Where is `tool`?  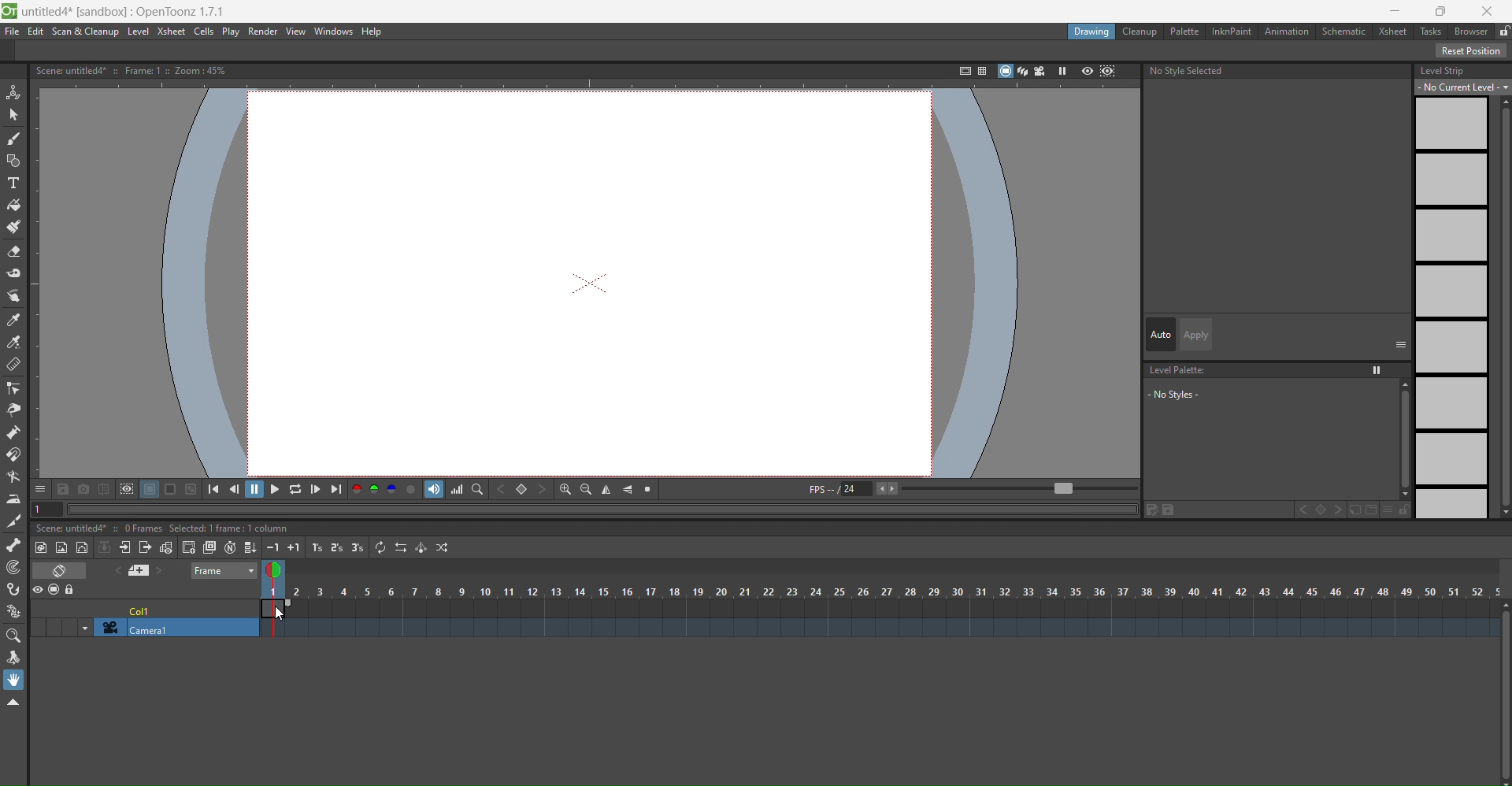 tool is located at coordinates (172, 489).